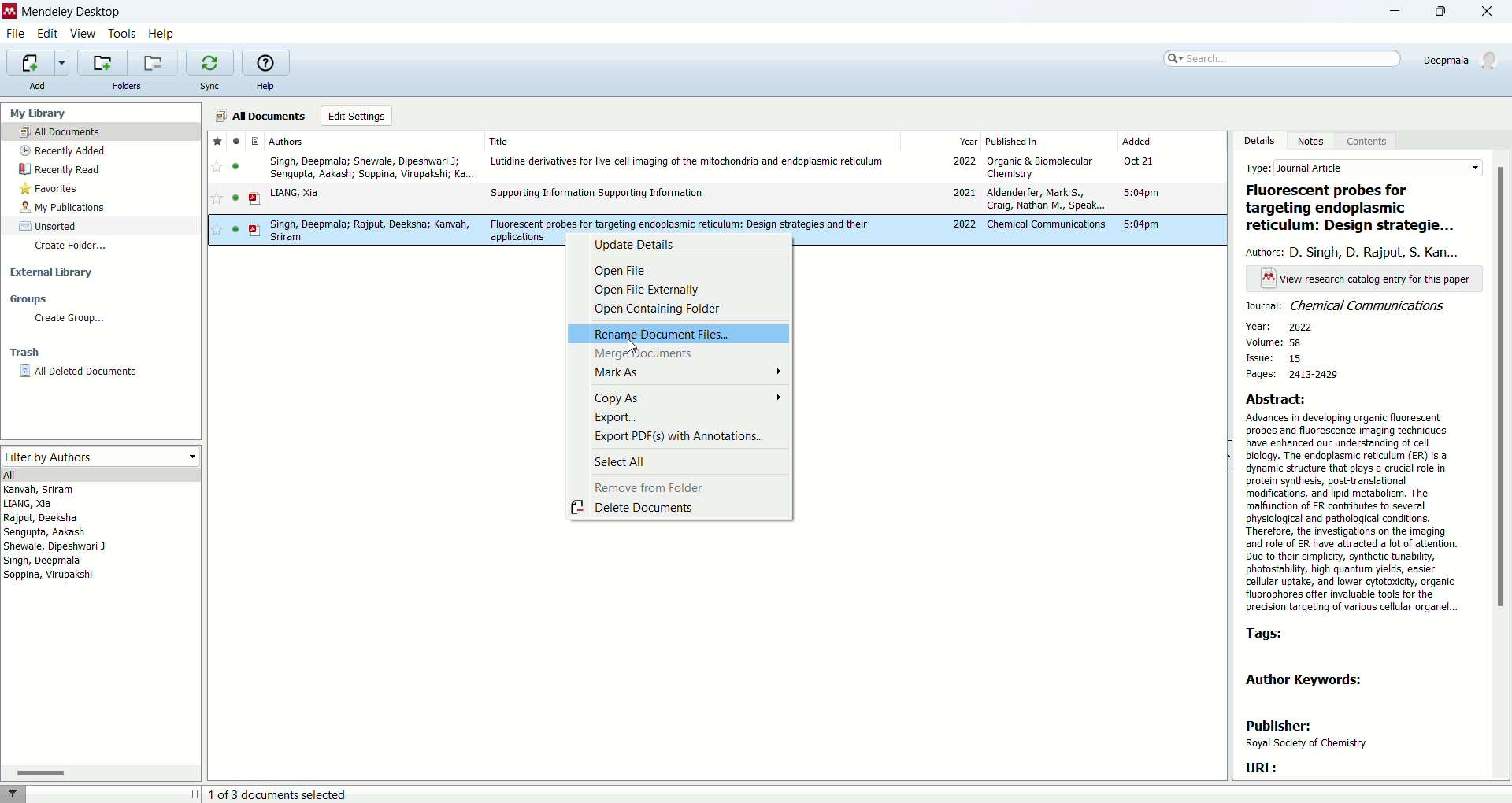  I want to click on Supporting Information Supporting Information, so click(598, 194).